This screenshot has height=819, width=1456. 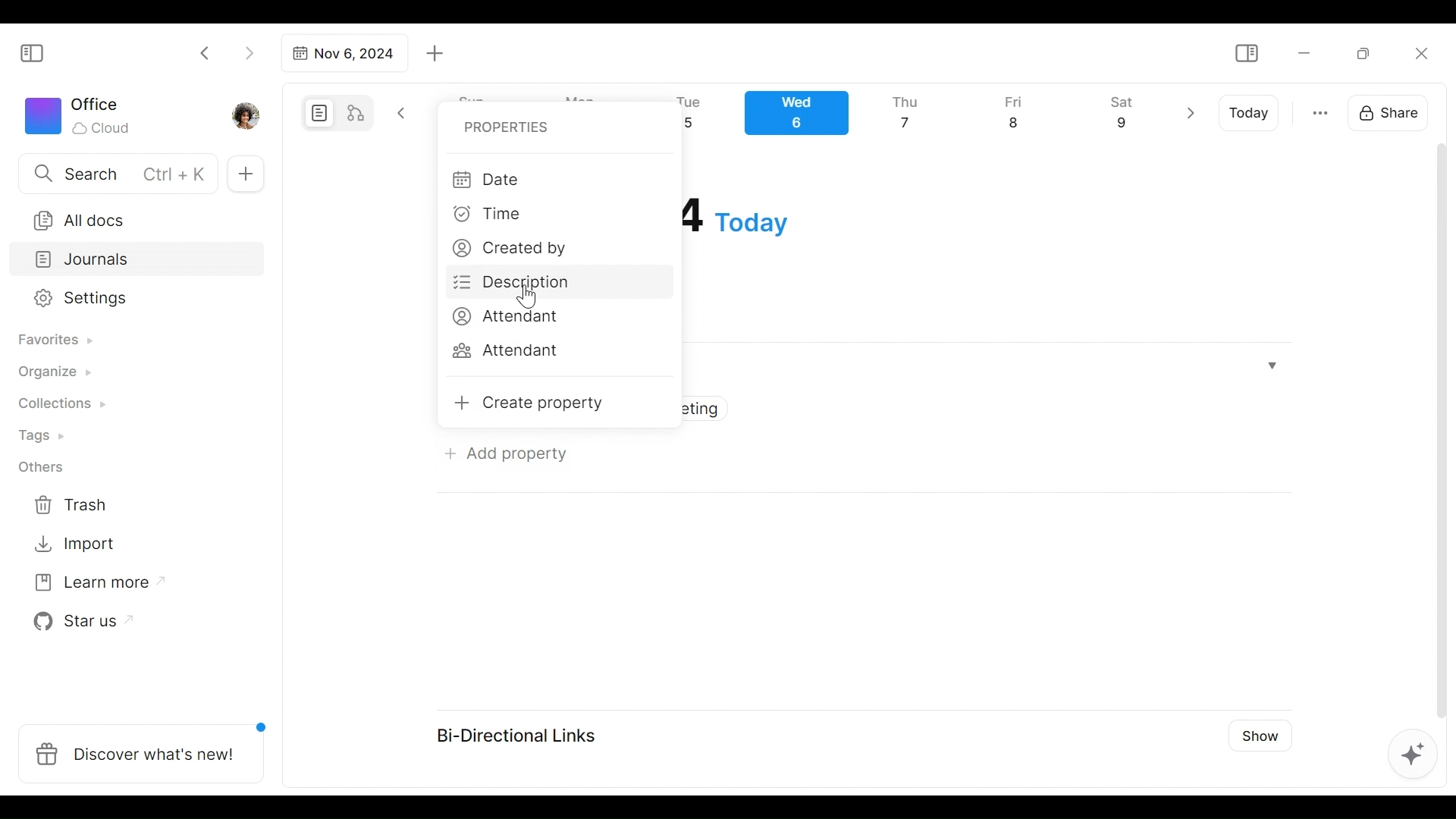 I want to click on Journals, so click(x=138, y=261).